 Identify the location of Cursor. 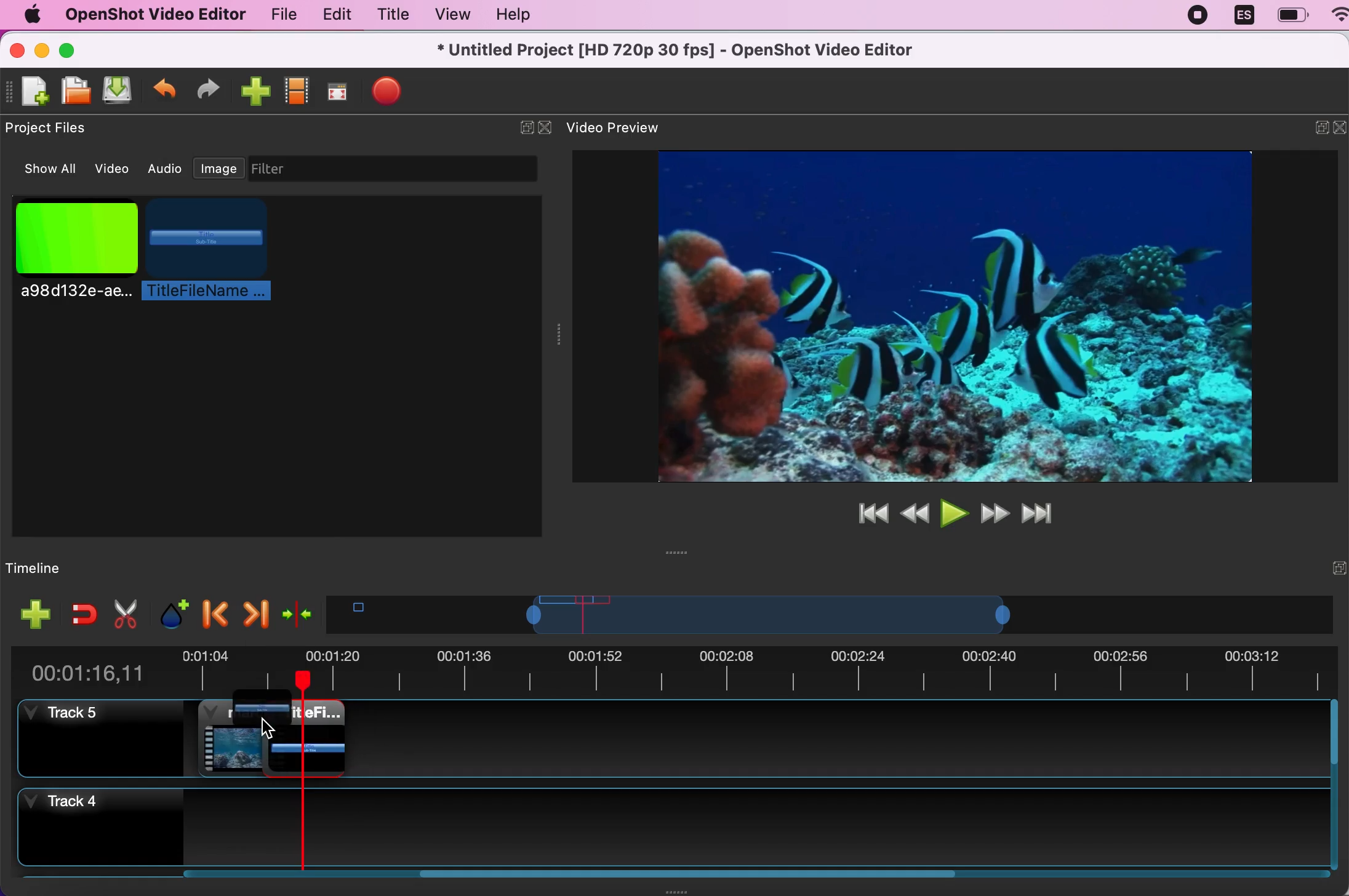
(267, 730).